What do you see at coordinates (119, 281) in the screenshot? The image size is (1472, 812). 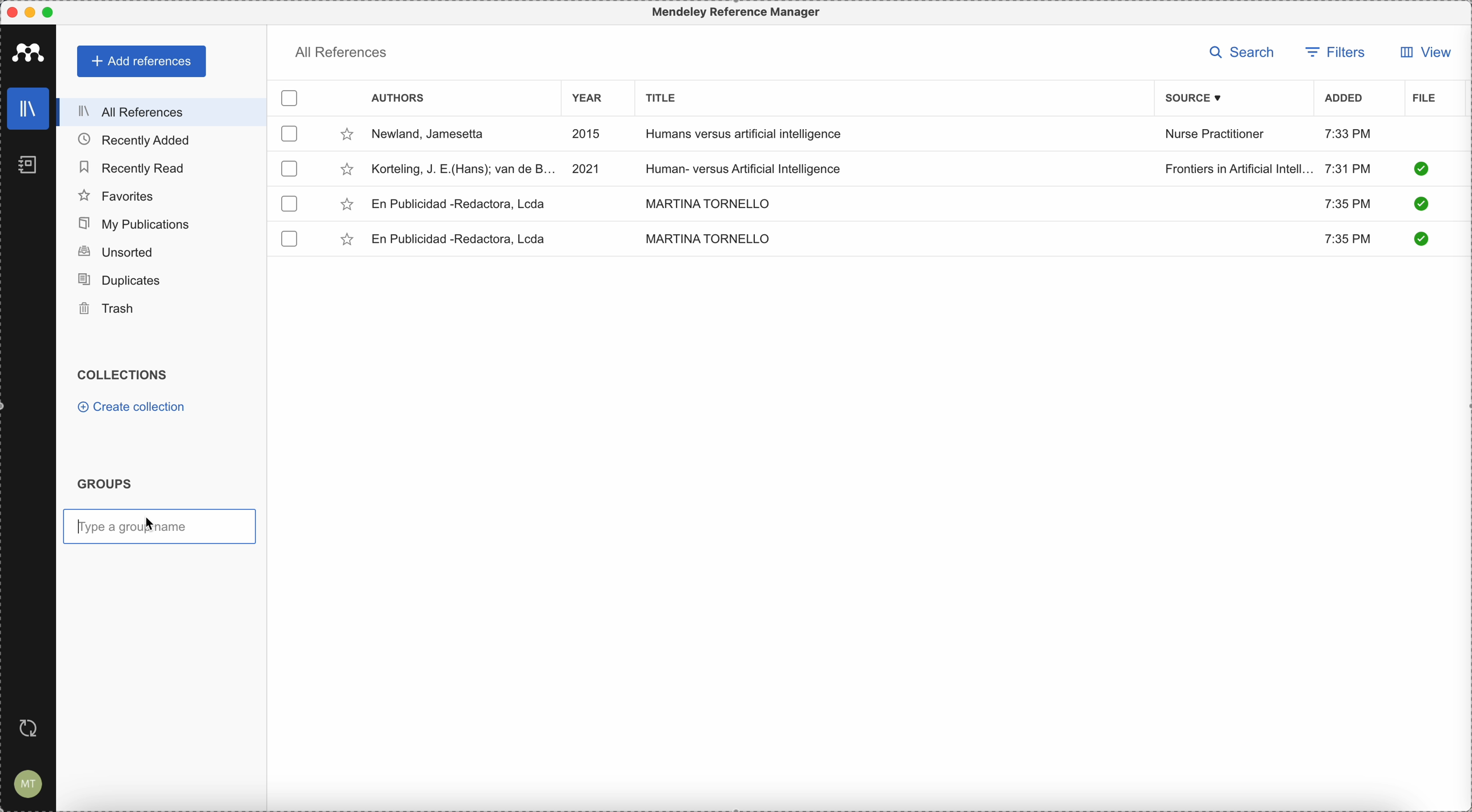 I see `duplicates` at bounding box center [119, 281].